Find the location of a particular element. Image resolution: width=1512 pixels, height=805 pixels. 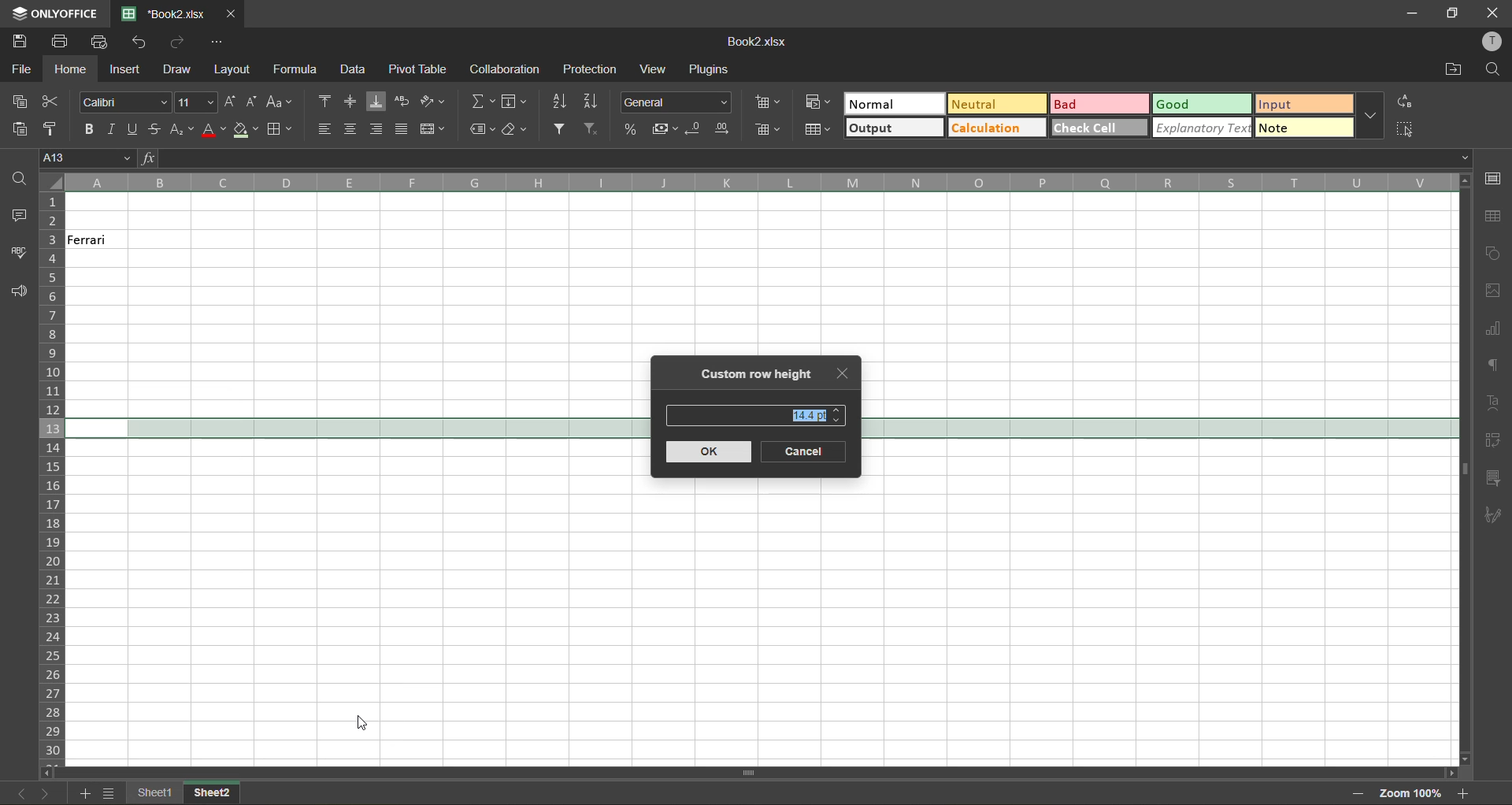

filter is located at coordinates (563, 129).